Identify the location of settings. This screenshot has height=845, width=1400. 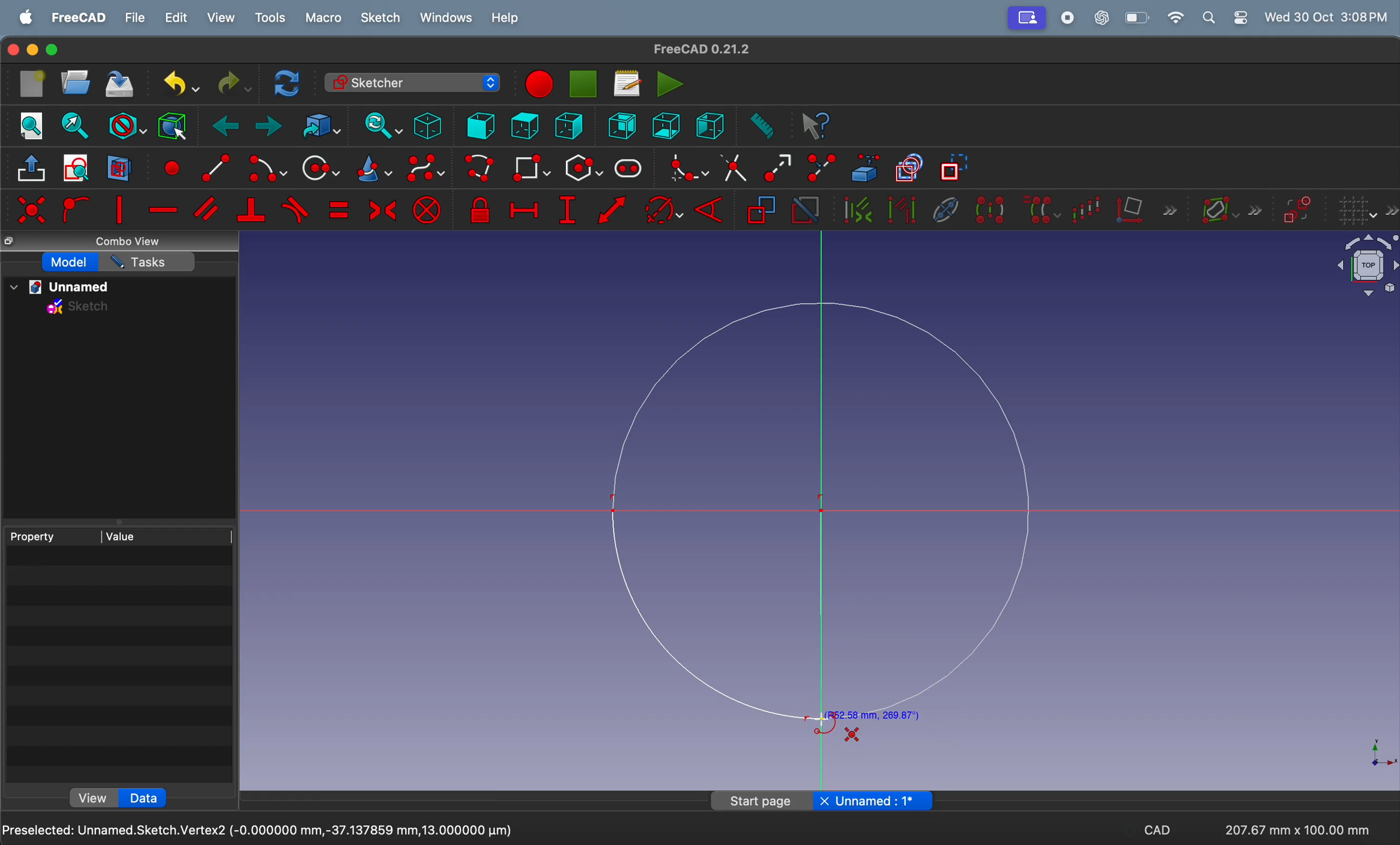
(1240, 18).